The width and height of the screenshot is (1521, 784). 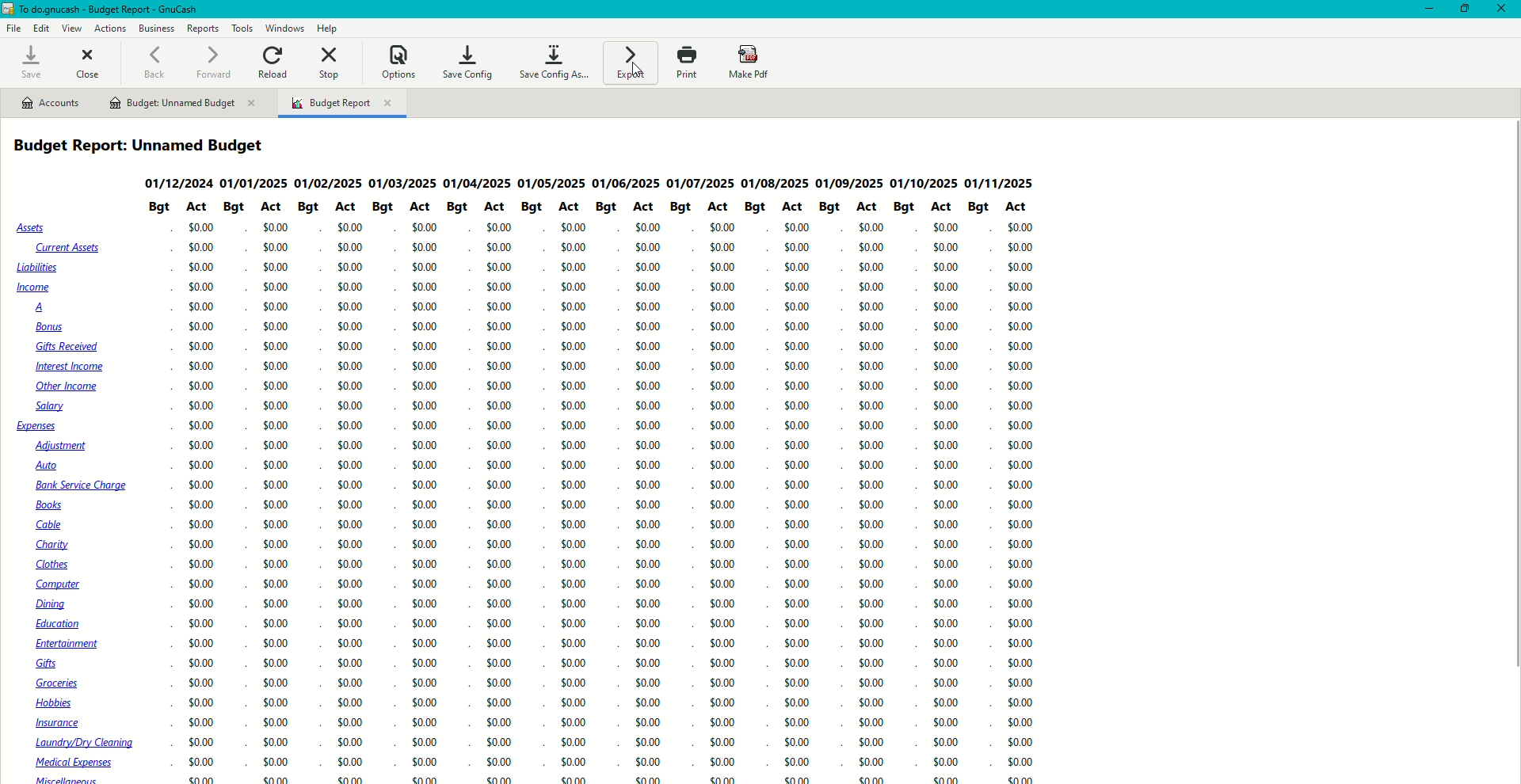 What do you see at coordinates (280, 625) in the screenshot?
I see `$0.00` at bounding box center [280, 625].